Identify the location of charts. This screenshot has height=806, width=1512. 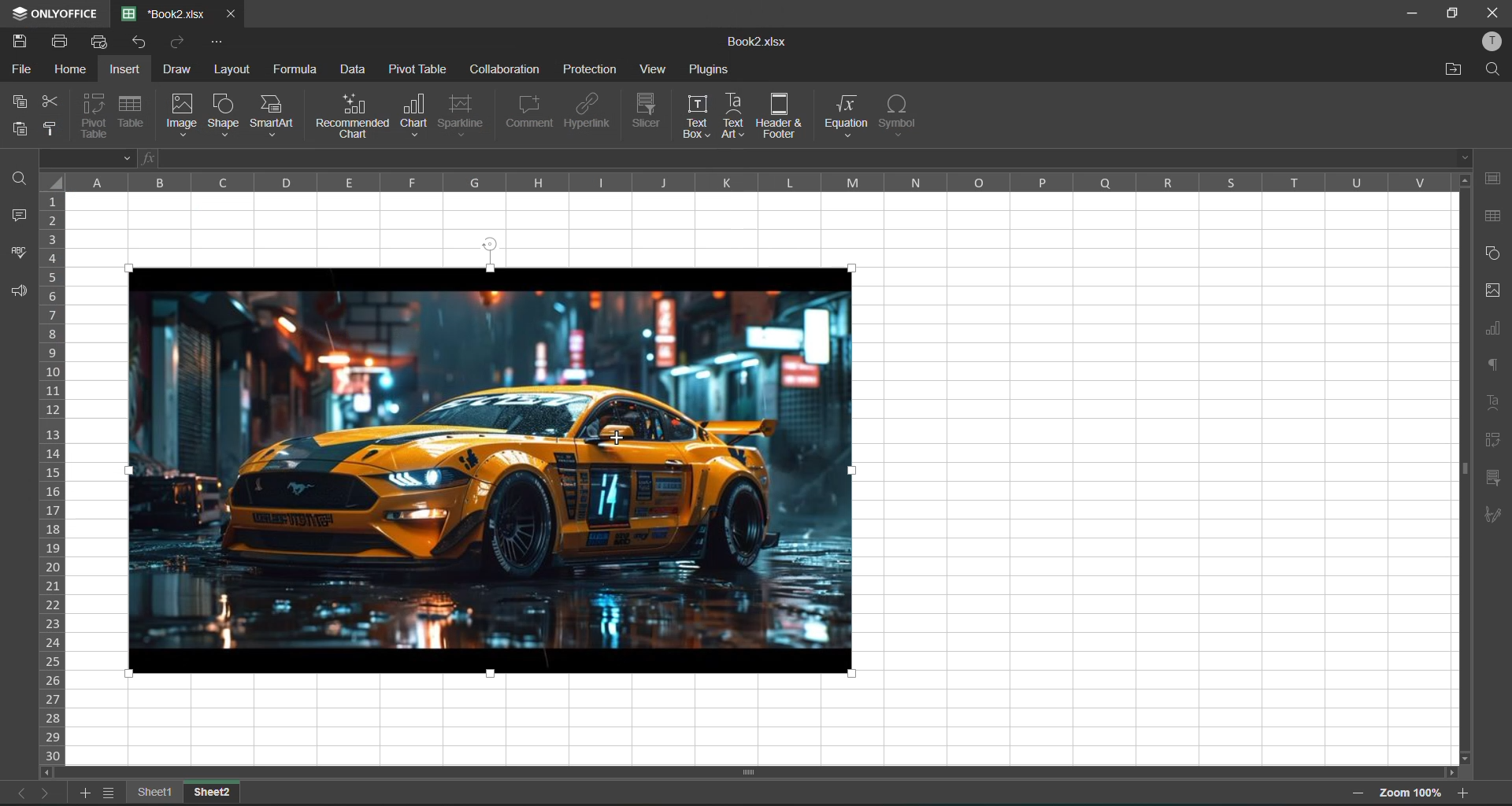
(1494, 331).